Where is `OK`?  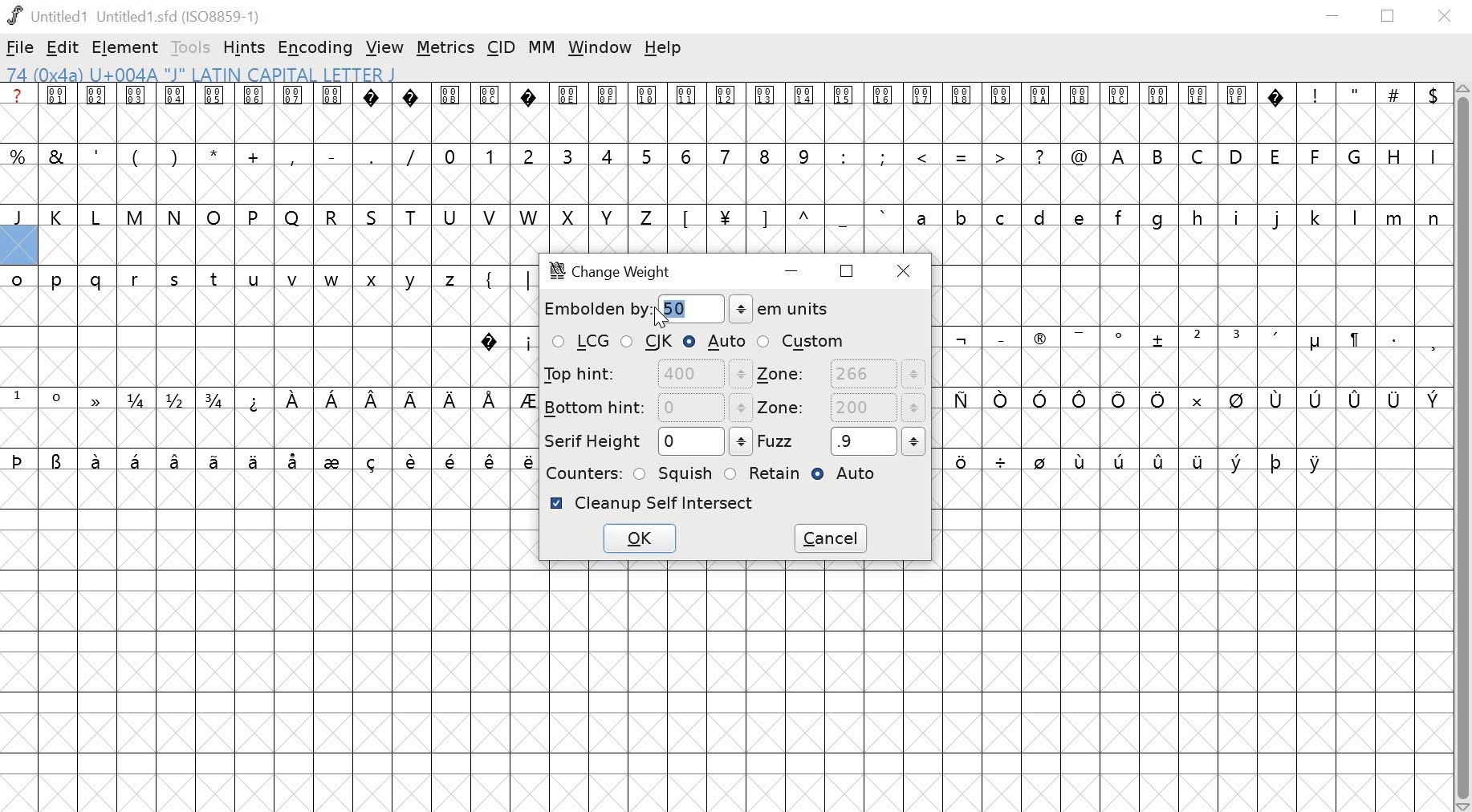 OK is located at coordinates (638, 541).